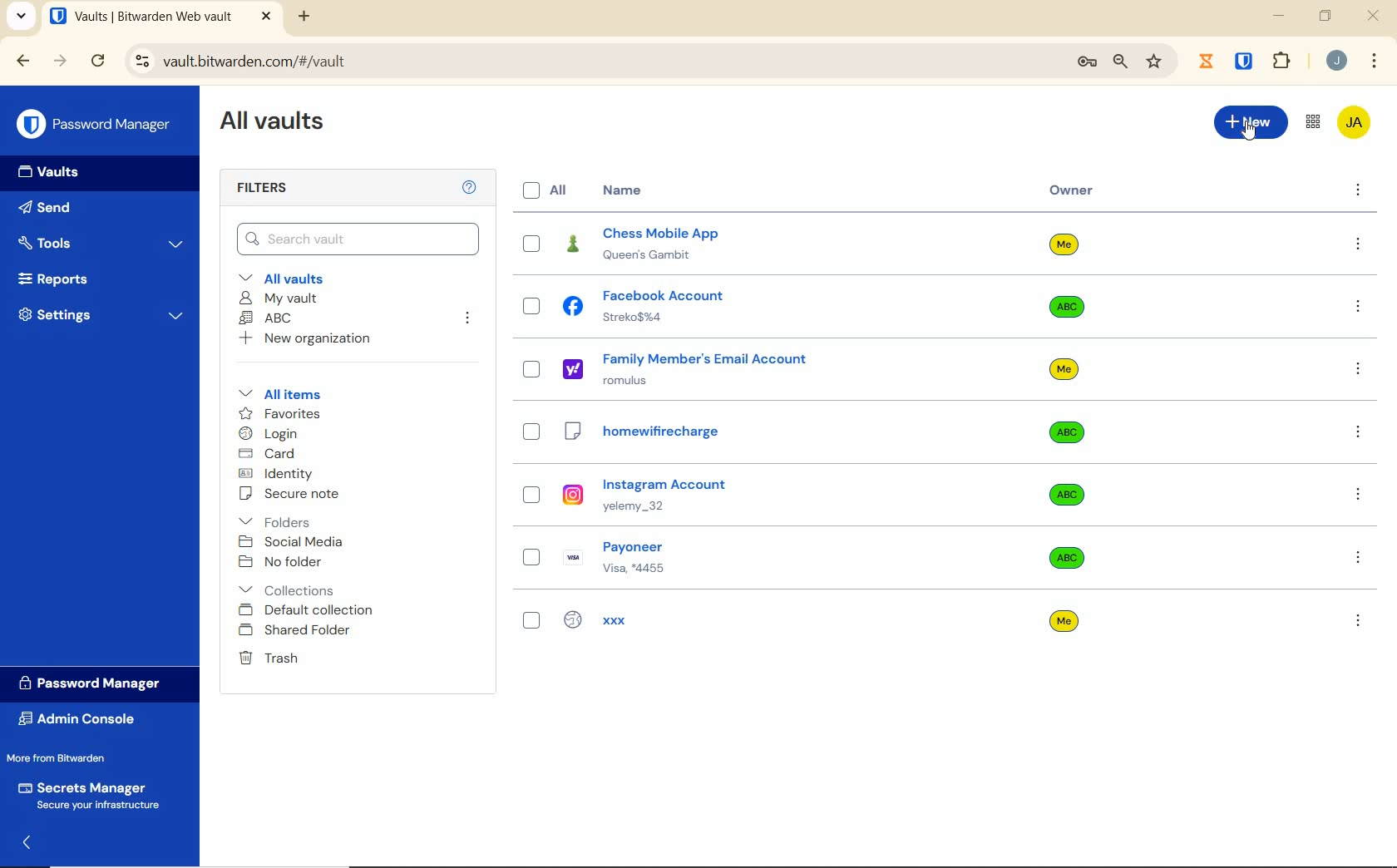 The width and height of the screenshot is (1397, 868). I want to click on checkbox, so click(532, 432).